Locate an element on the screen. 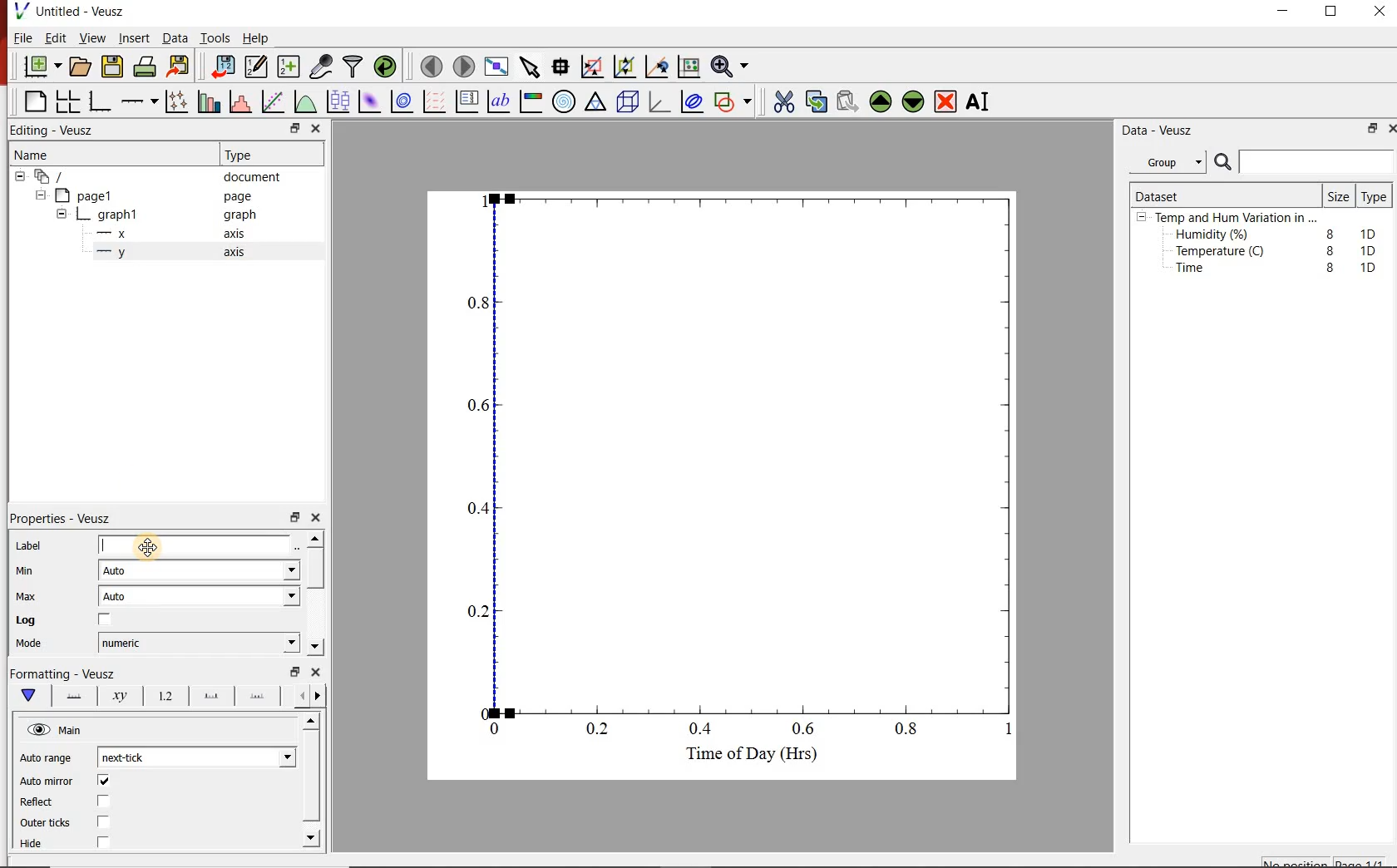 Image resolution: width=1397 pixels, height=868 pixels. plot covariance ellipses is located at coordinates (696, 105).